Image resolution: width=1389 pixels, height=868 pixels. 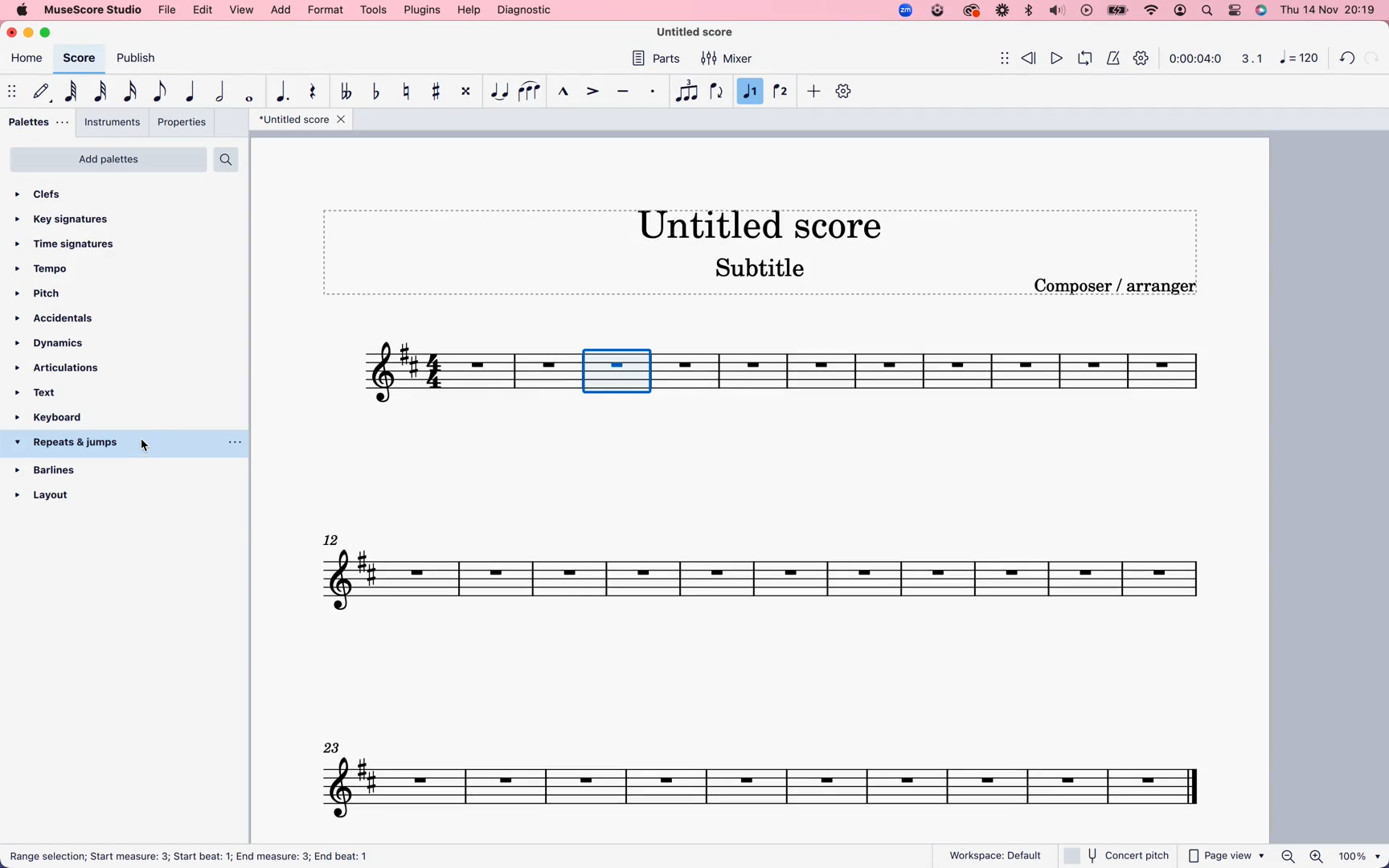 I want to click on 64th note, so click(x=74, y=91).